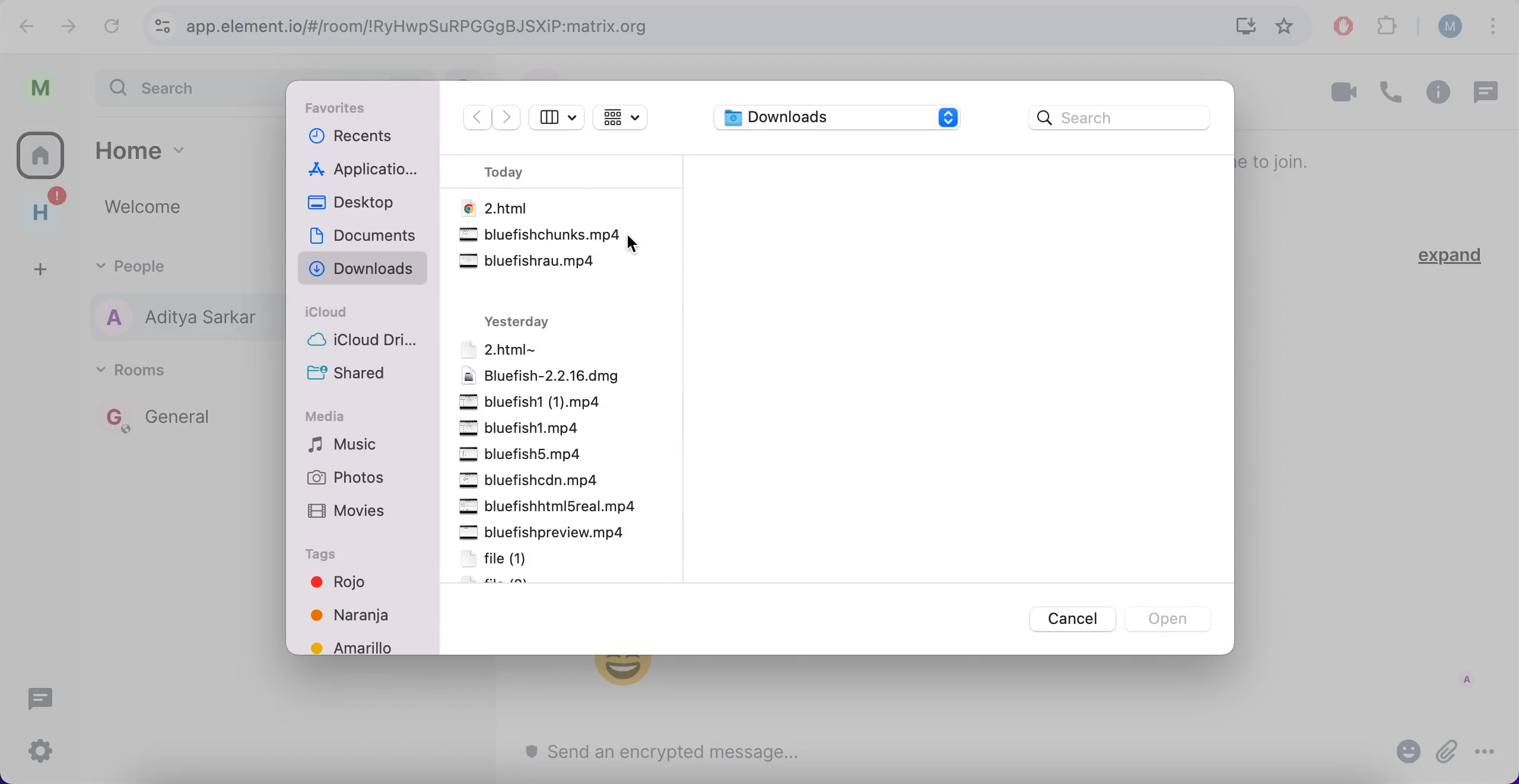 The height and width of the screenshot is (784, 1519). Describe the element at coordinates (1449, 30) in the screenshot. I see `user` at that location.